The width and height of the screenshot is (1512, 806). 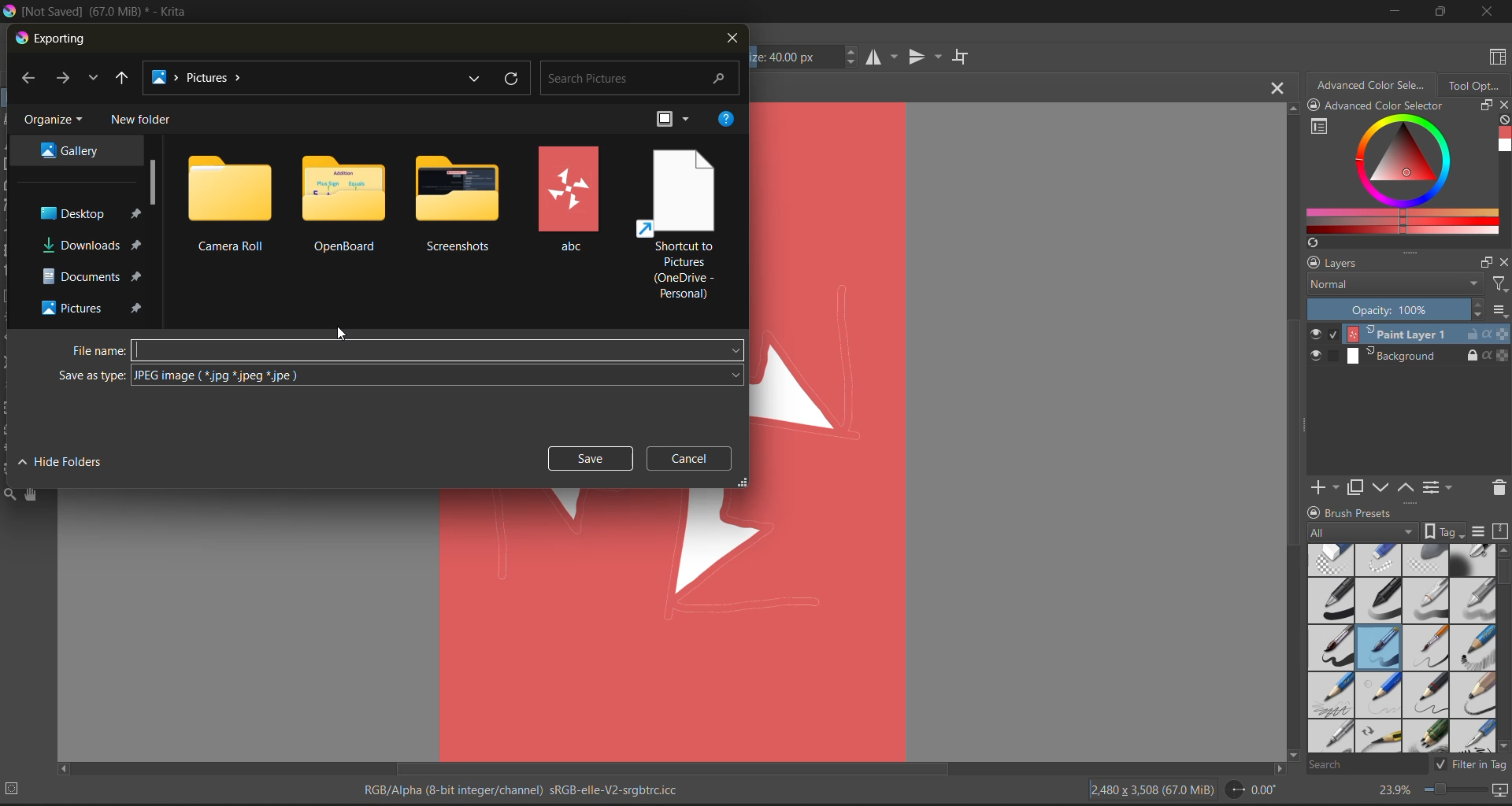 What do you see at coordinates (31, 494) in the screenshot?
I see `tools` at bounding box center [31, 494].